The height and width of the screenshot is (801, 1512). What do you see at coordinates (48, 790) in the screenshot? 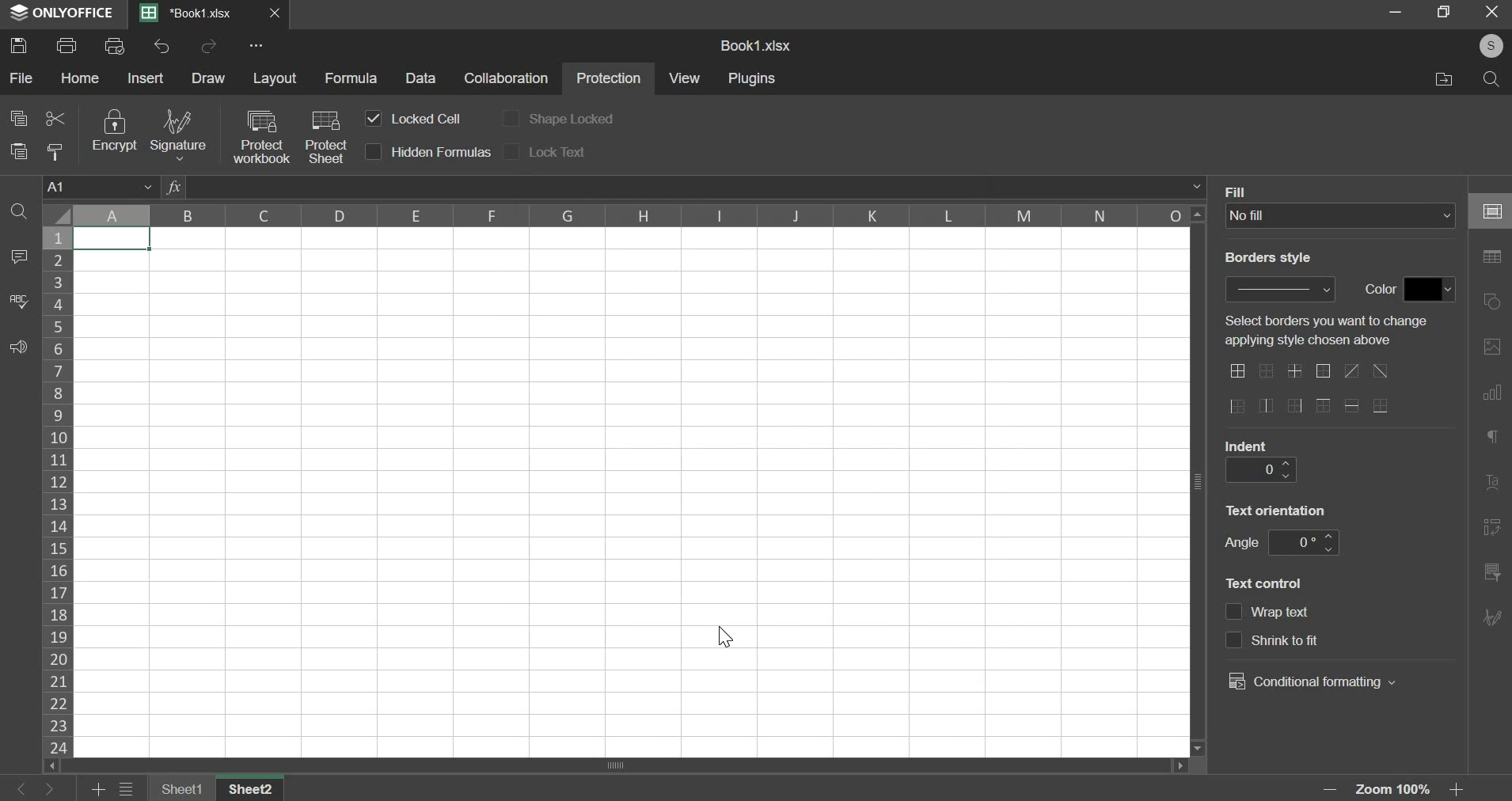
I see `right` at bounding box center [48, 790].